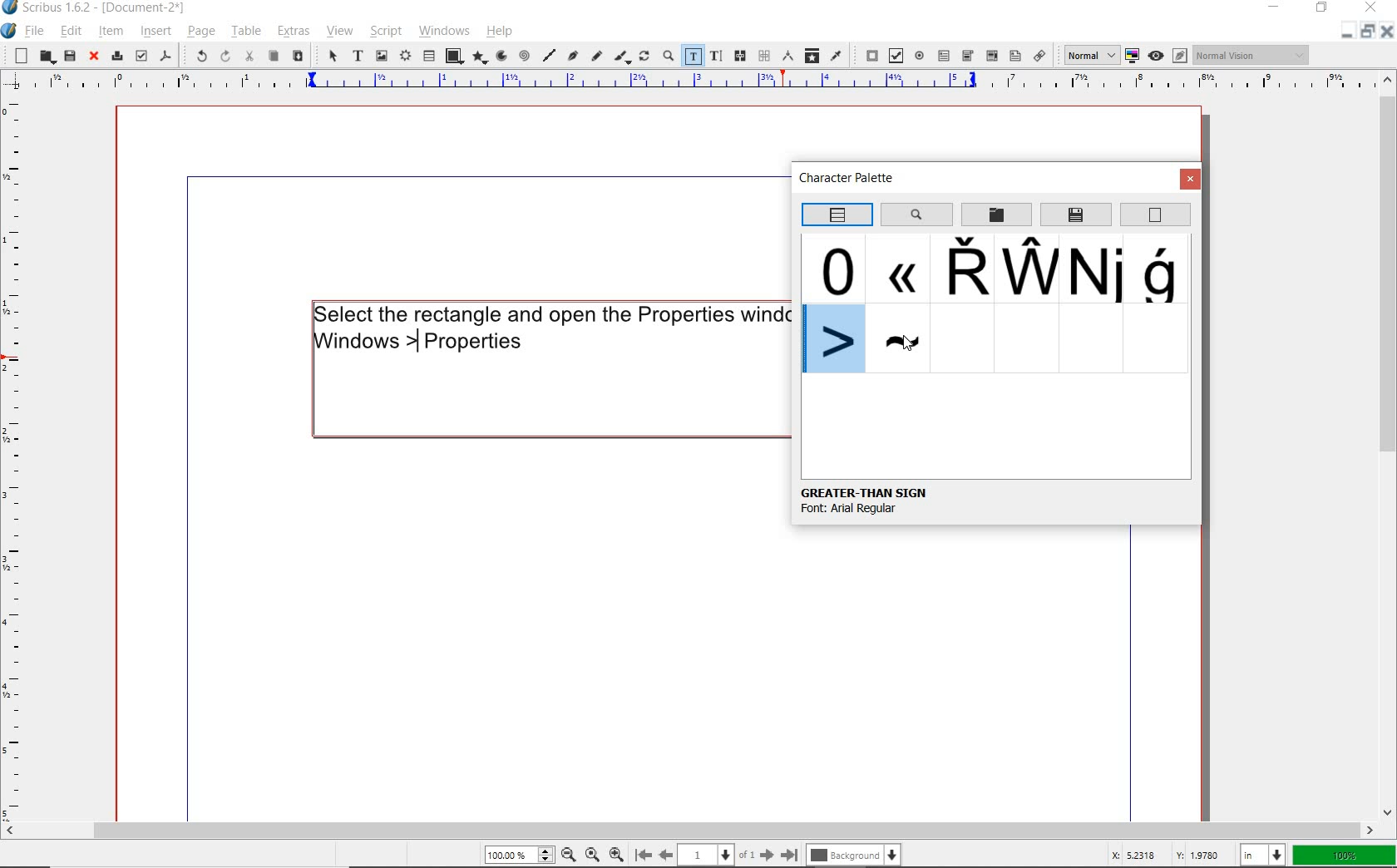 This screenshot has width=1397, height=868. What do you see at coordinates (644, 57) in the screenshot?
I see `rotate item` at bounding box center [644, 57].